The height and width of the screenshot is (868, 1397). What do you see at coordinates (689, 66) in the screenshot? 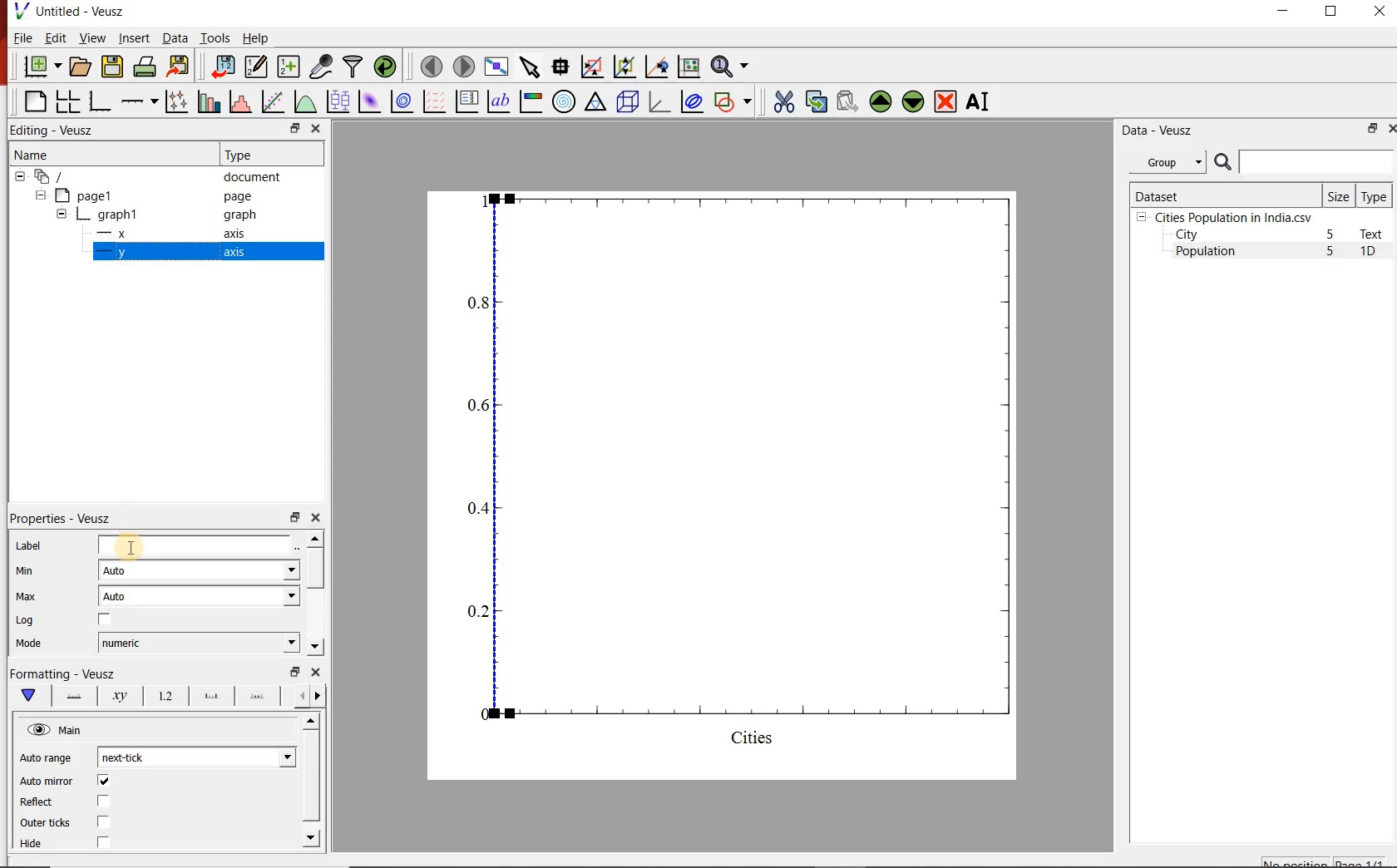
I see `click to reset graph axes` at bounding box center [689, 66].